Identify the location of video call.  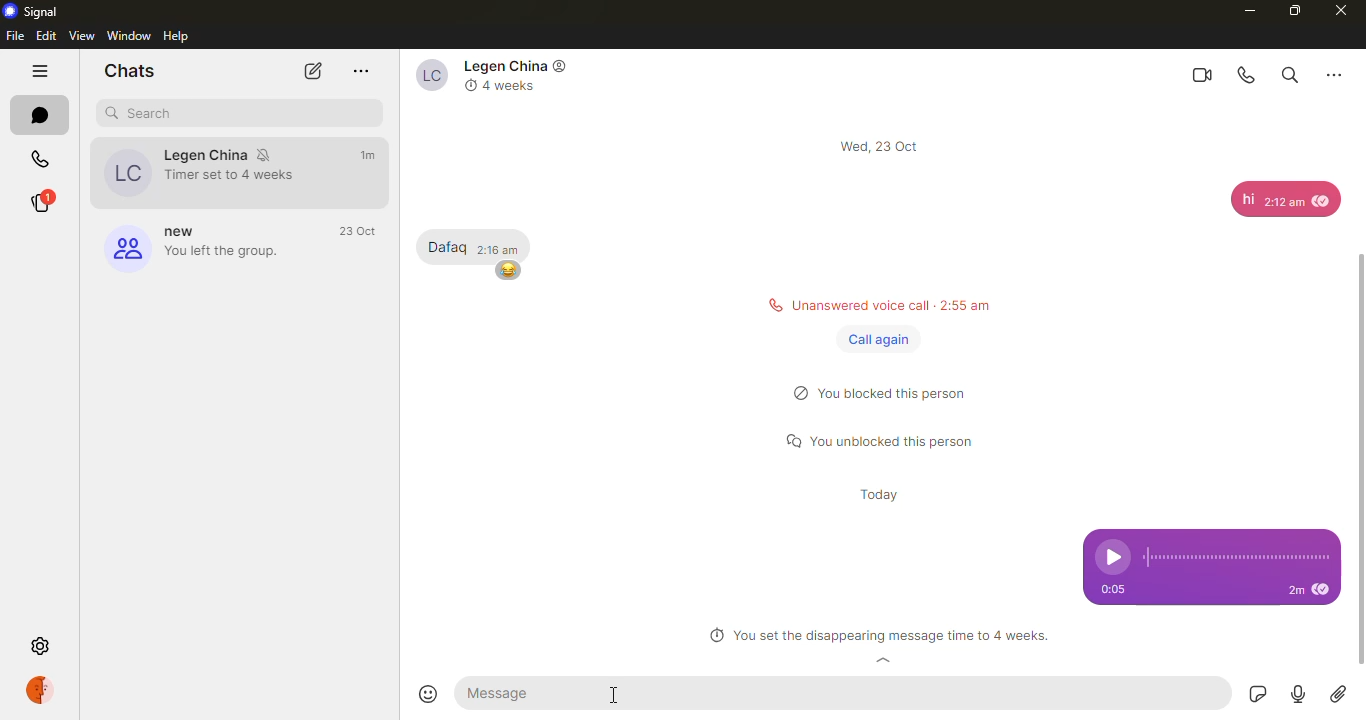
(1200, 74).